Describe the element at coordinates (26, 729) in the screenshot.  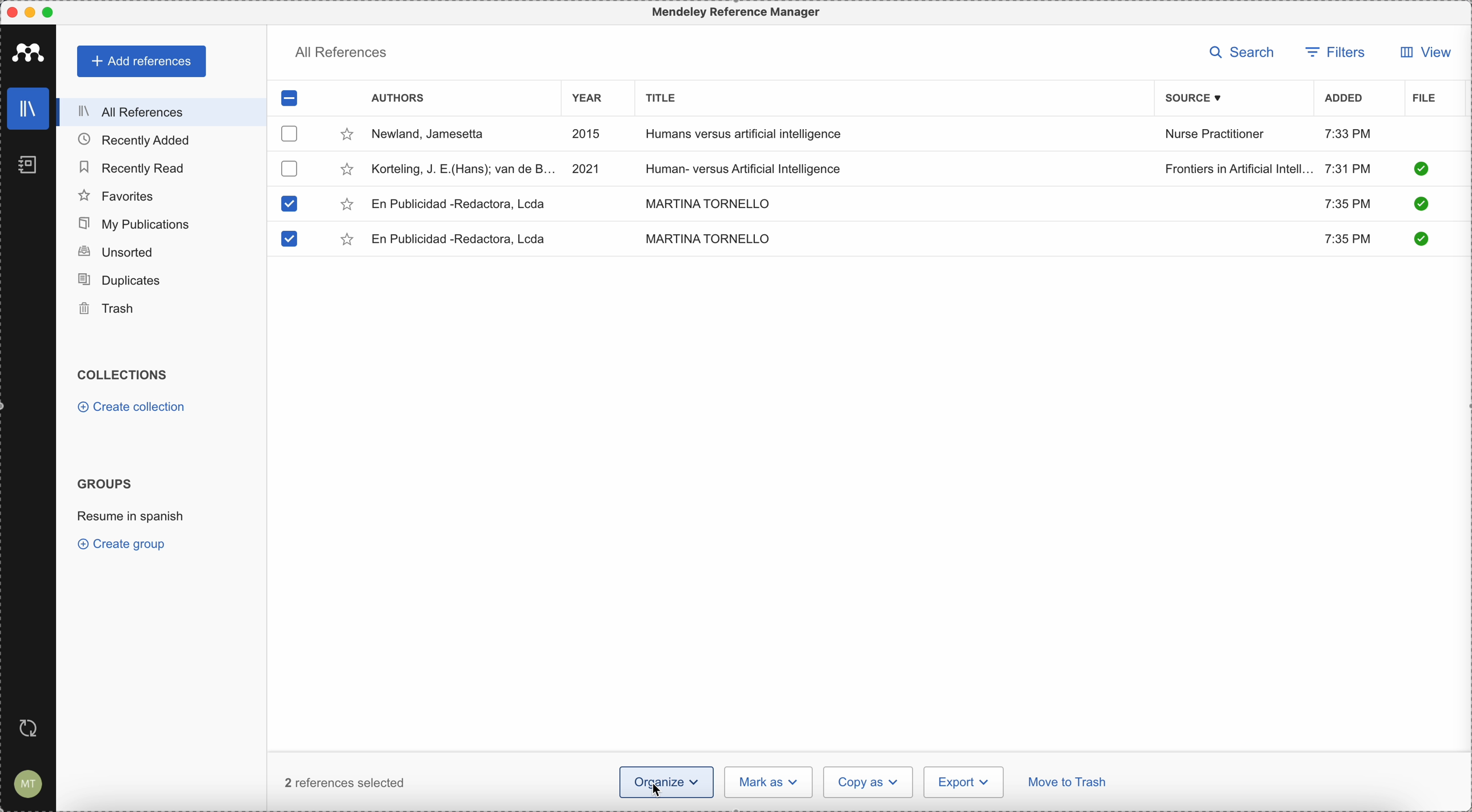
I see `last sync` at that location.